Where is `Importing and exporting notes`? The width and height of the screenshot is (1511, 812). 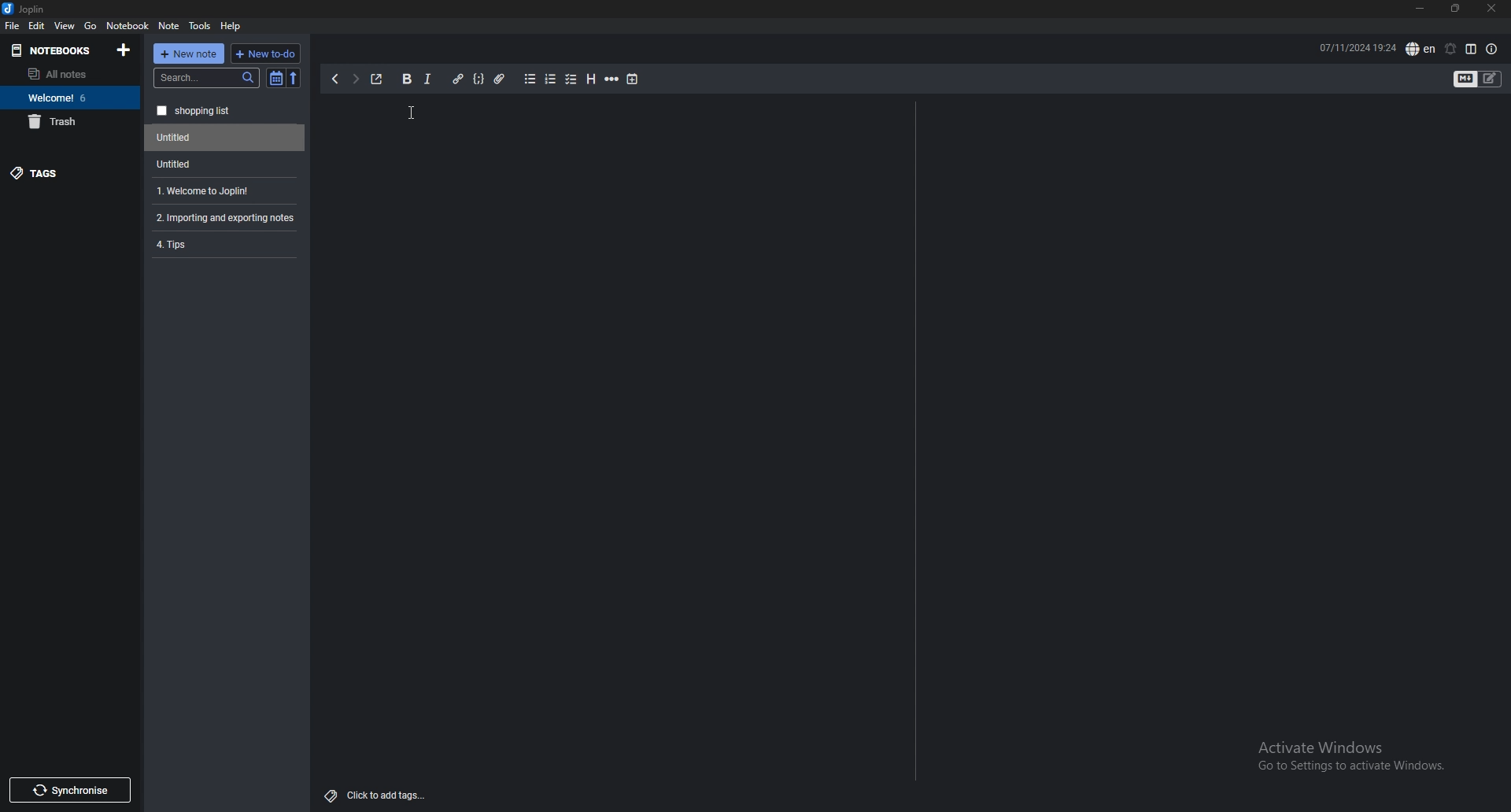 Importing and exporting notes is located at coordinates (227, 218).